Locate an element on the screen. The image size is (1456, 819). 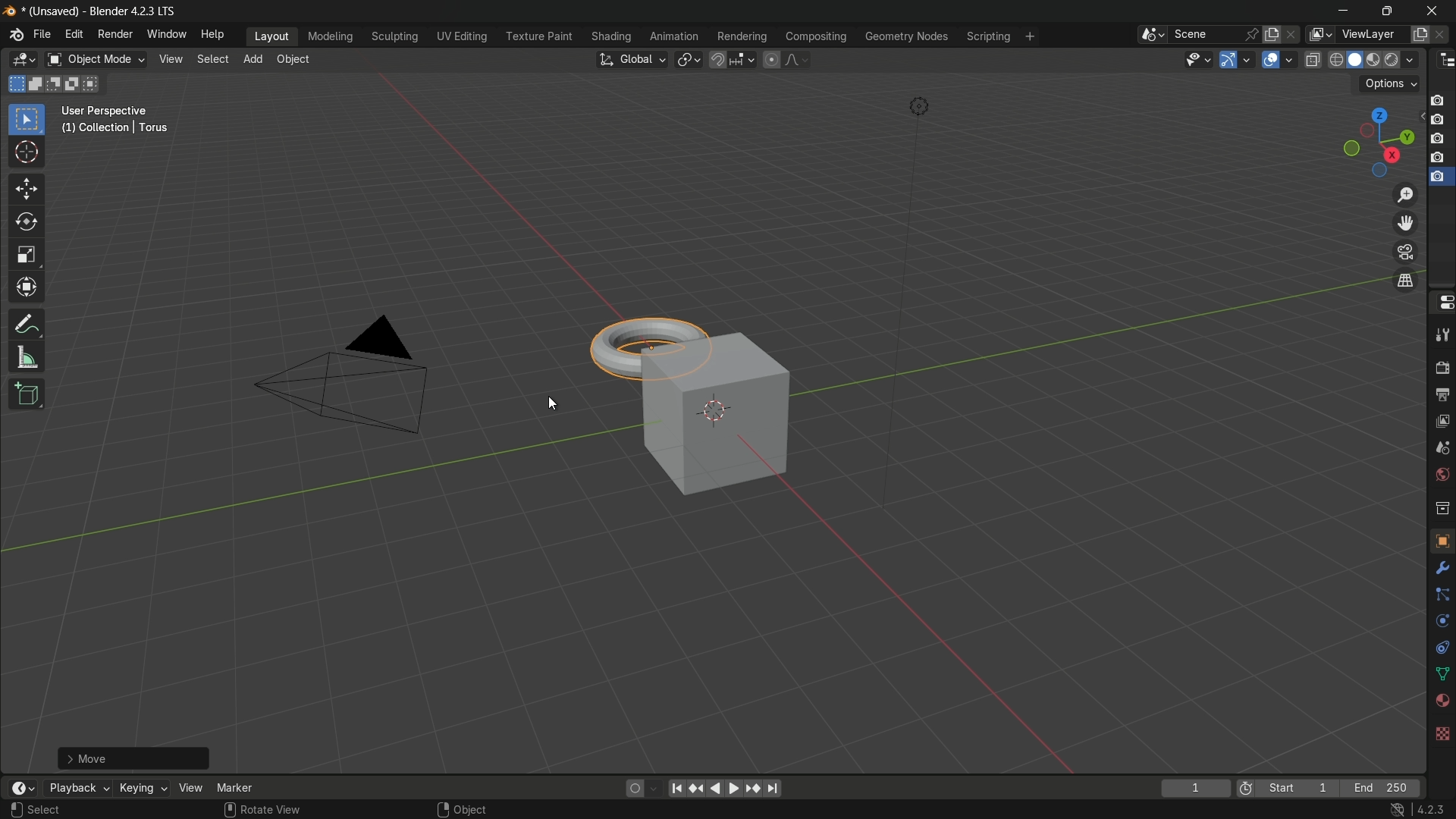
jump to keyframe is located at coordinates (695, 789).